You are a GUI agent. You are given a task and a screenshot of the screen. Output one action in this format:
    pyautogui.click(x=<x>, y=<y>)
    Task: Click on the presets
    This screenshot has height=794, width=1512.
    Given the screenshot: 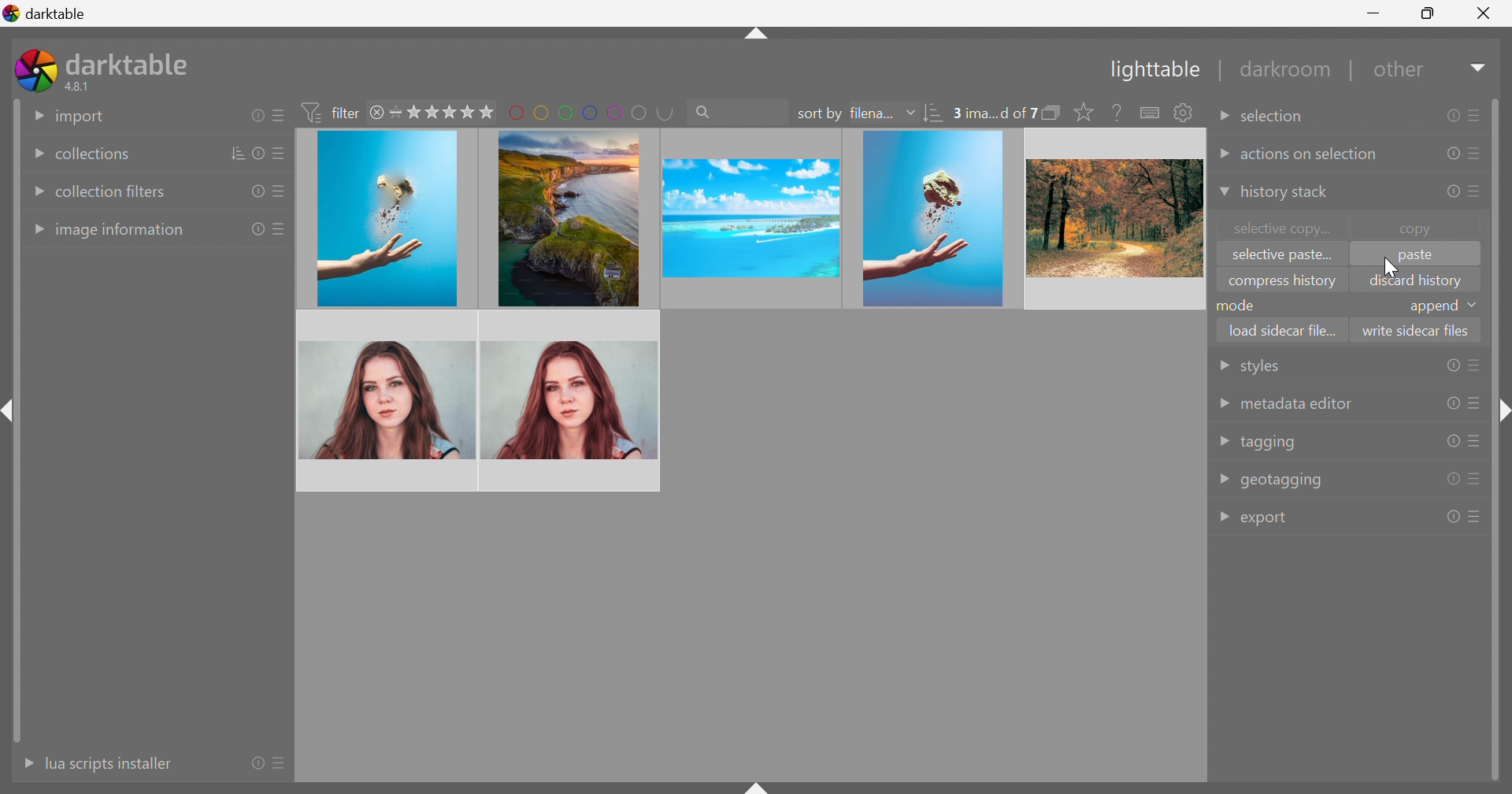 What is the action you would take?
    pyautogui.click(x=1475, y=113)
    